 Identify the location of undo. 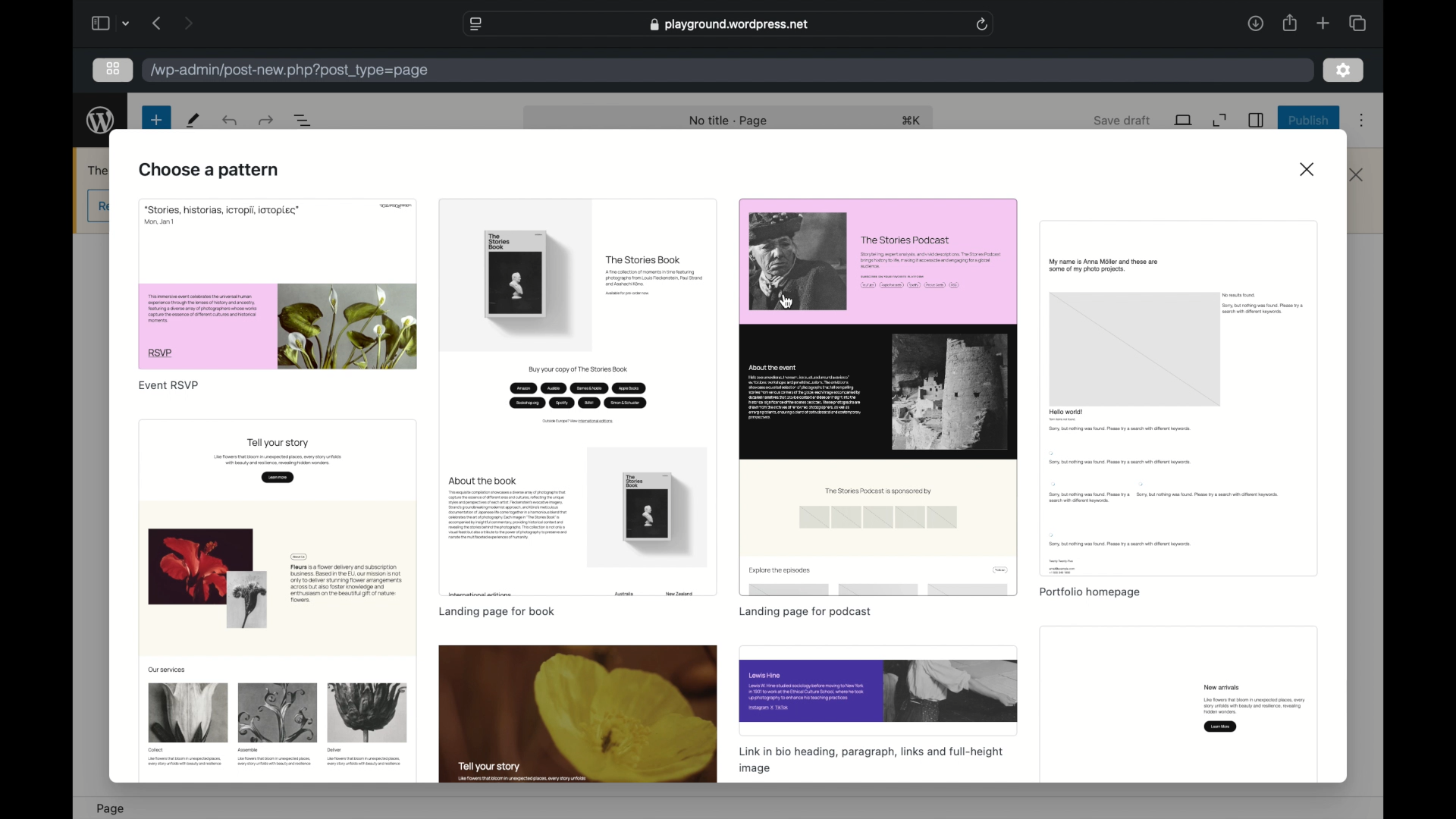
(265, 120).